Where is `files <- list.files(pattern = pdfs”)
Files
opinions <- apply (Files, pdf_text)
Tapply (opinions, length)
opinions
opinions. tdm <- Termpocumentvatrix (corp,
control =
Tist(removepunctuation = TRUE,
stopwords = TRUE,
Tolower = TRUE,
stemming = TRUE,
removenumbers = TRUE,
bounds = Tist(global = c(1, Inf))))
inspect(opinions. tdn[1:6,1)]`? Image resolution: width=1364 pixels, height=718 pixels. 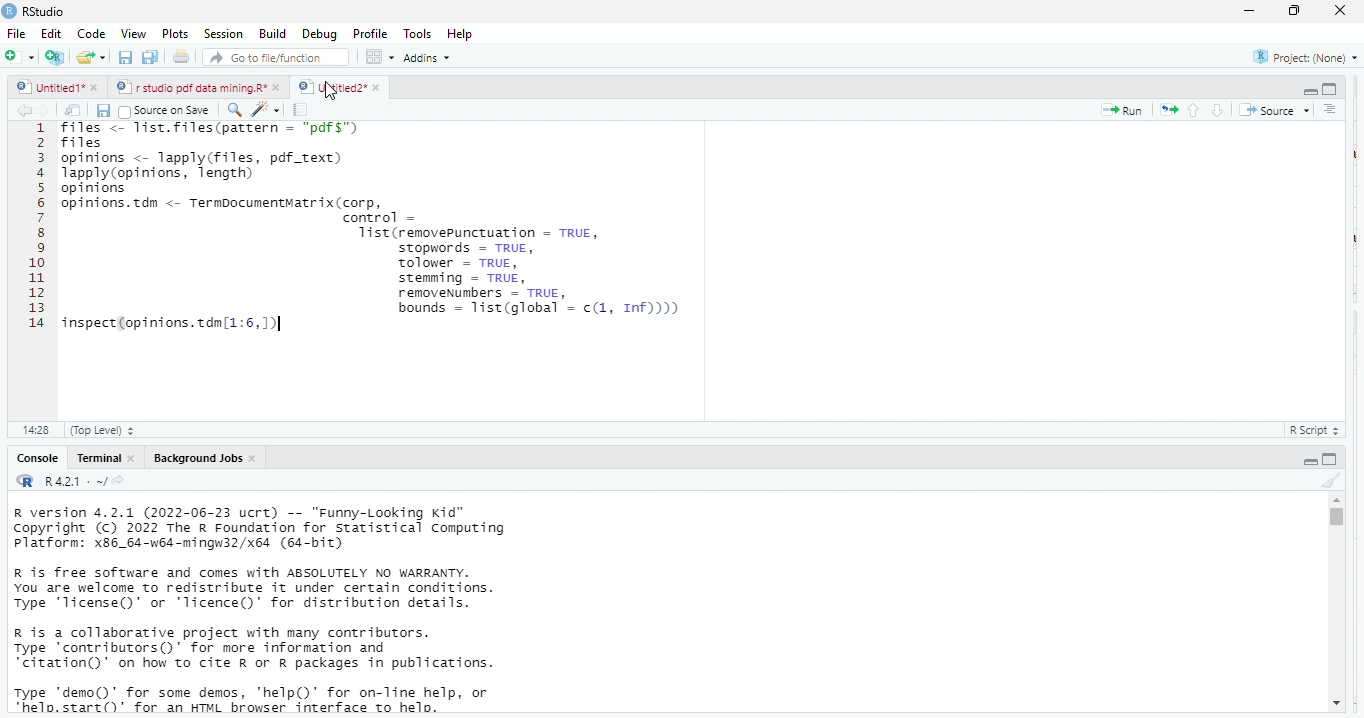
files <- list.files(pattern = pdfs”)
Files
opinions <- apply (Files, pdf_text)
Tapply (opinions, length)
opinions
opinions. tdm <- Termpocumentvatrix (corp,
control =
Tist(removepunctuation = TRUE,
stopwords = TRUE,
Tolower = TRUE,
stemming = TRUE,
removenumbers = TRUE,
bounds = Tist(global = c(1, Inf))))
inspect(opinions. tdn[1:6,1)] is located at coordinates (422, 251).